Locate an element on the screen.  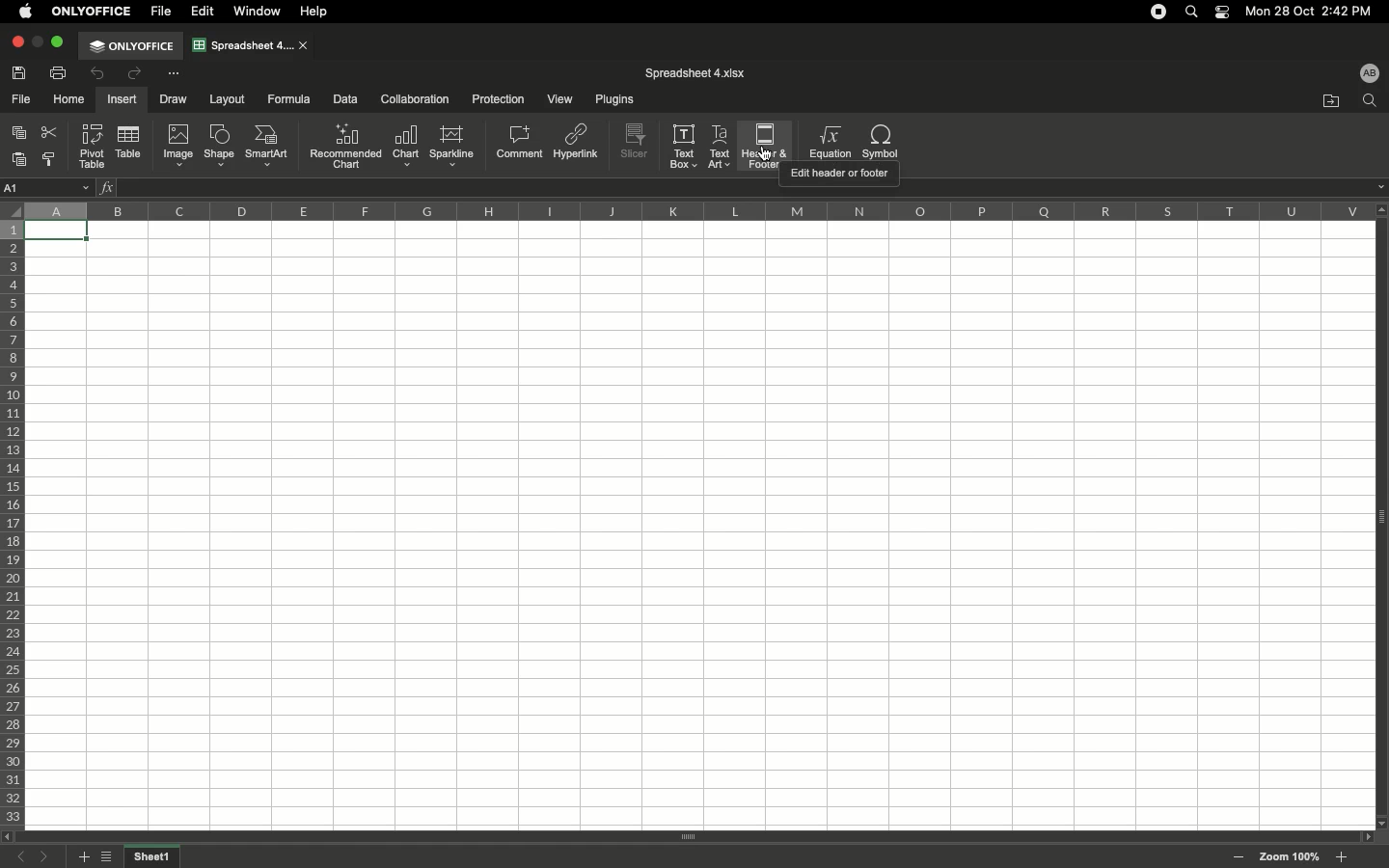
Draw is located at coordinates (176, 98).